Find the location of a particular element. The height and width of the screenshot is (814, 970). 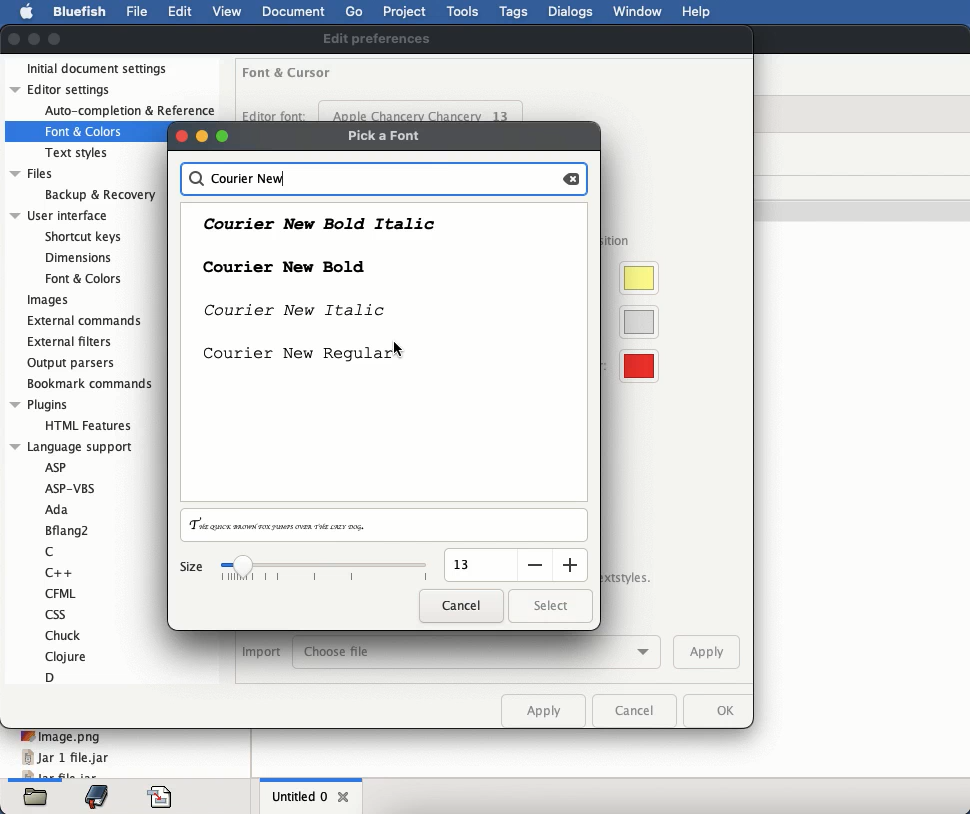

bookmark commands is located at coordinates (90, 384).